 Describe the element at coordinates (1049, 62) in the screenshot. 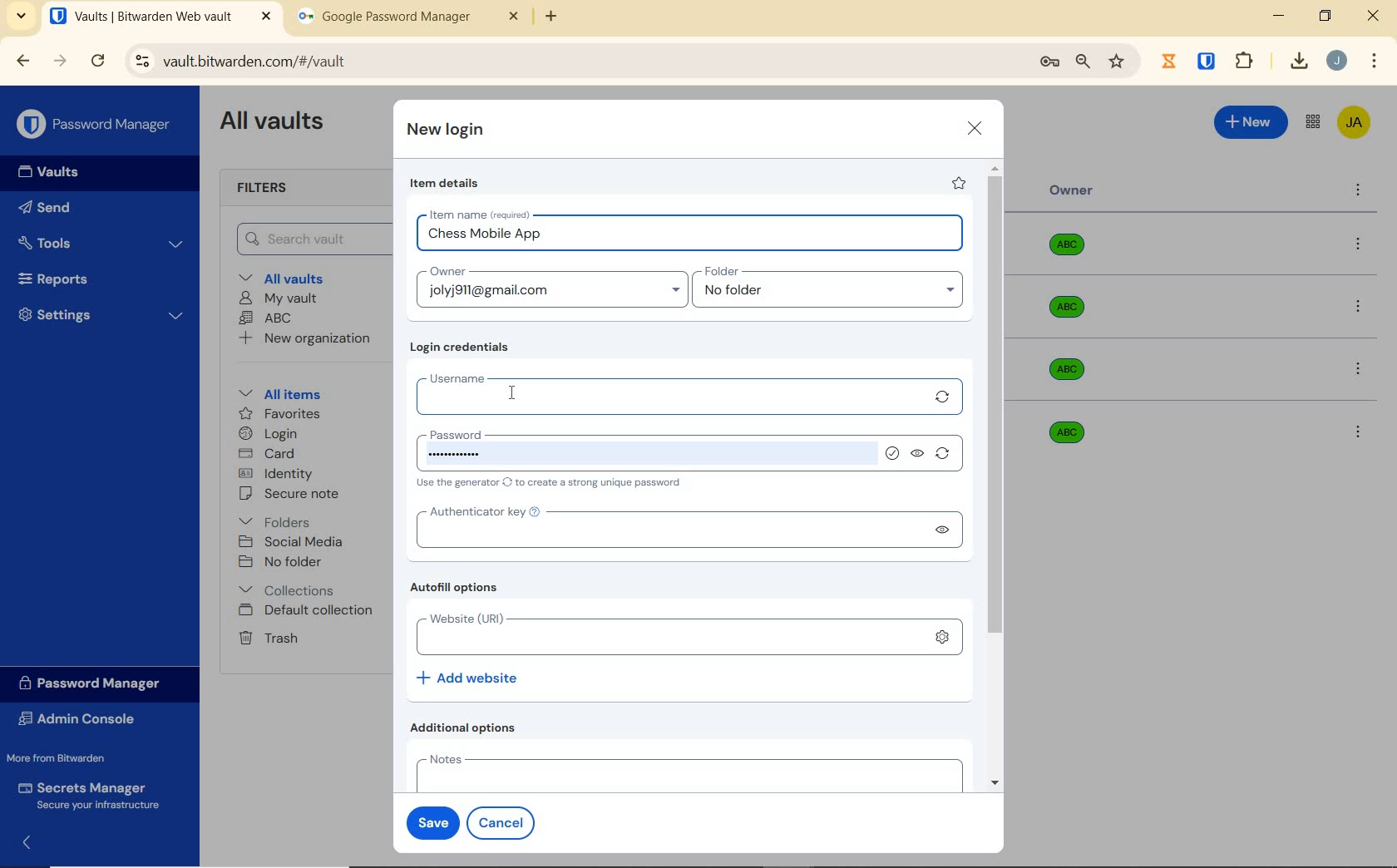

I see `manage passwords` at that location.